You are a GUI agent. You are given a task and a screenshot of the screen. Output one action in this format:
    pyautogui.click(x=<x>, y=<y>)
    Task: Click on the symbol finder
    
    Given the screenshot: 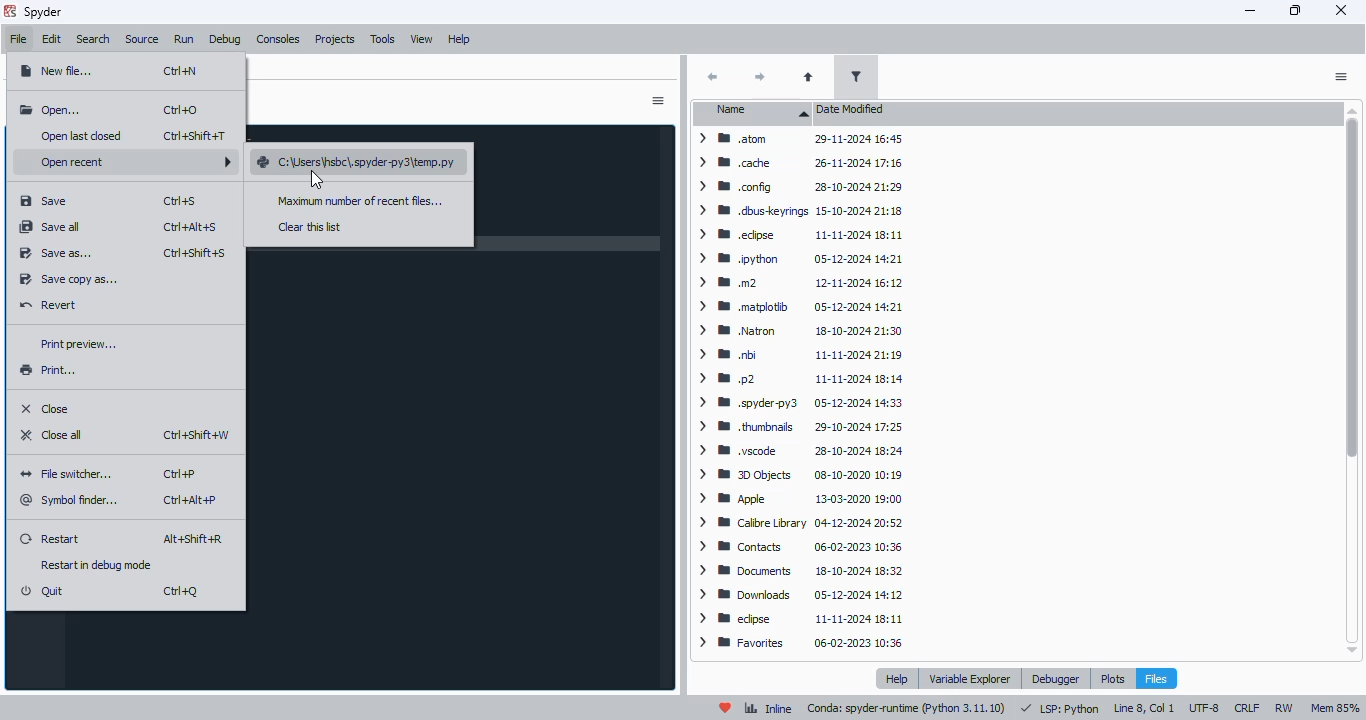 What is the action you would take?
    pyautogui.click(x=72, y=500)
    